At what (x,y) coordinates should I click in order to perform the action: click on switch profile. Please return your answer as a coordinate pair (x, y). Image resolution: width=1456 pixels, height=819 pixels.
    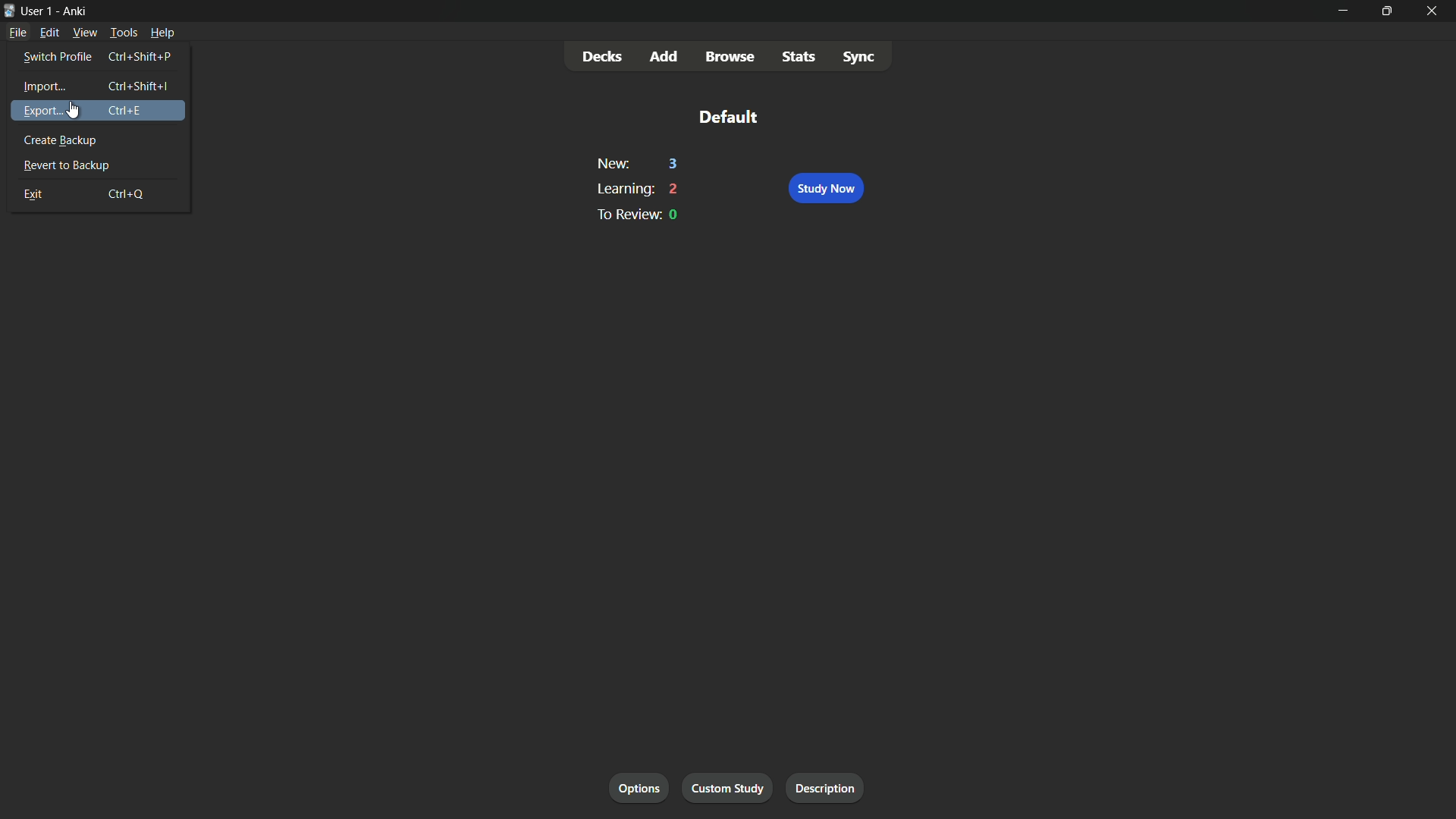
    Looking at the image, I should click on (55, 58).